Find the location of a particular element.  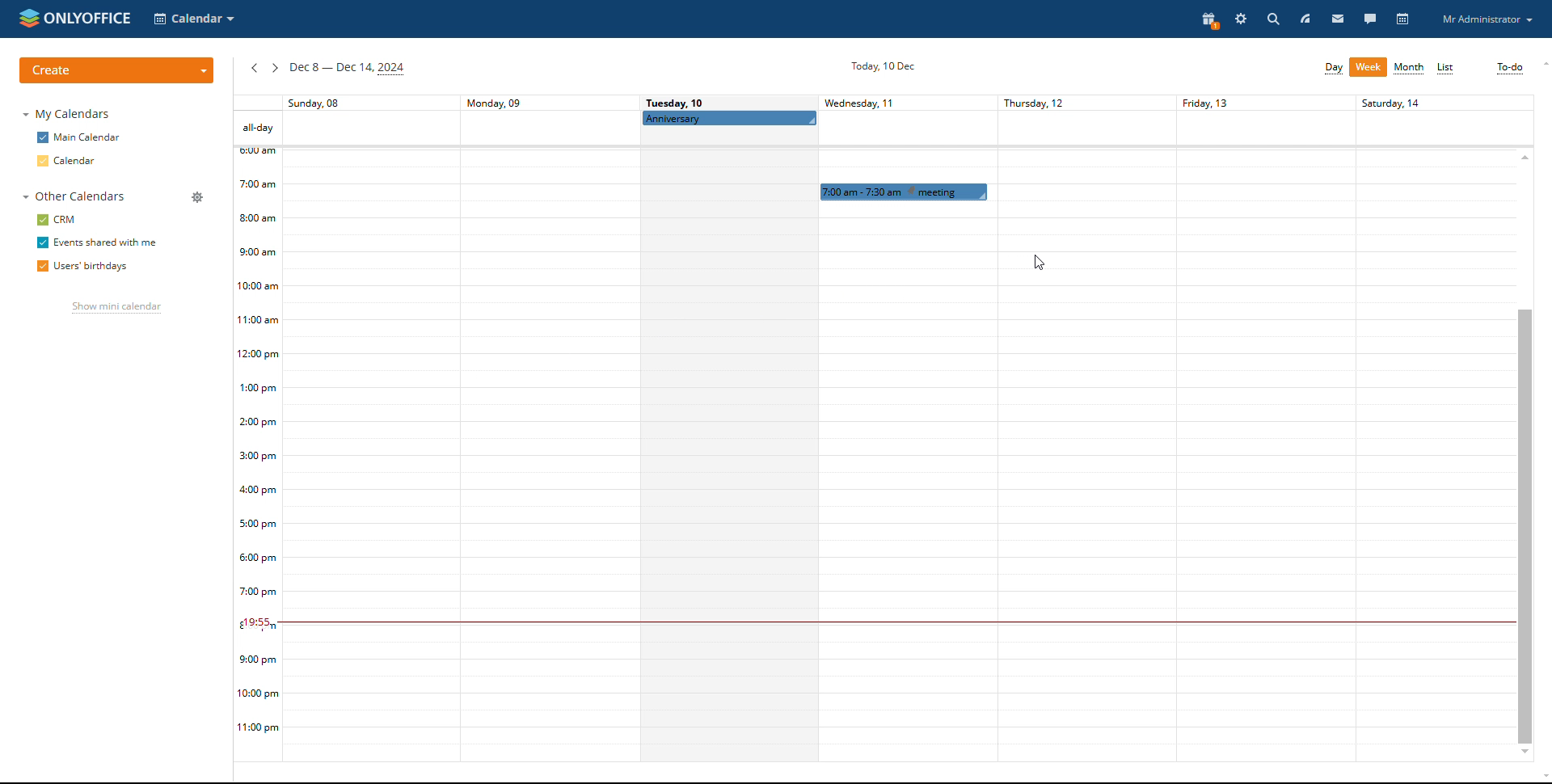

scheduled event is located at coordinates (900, 192).